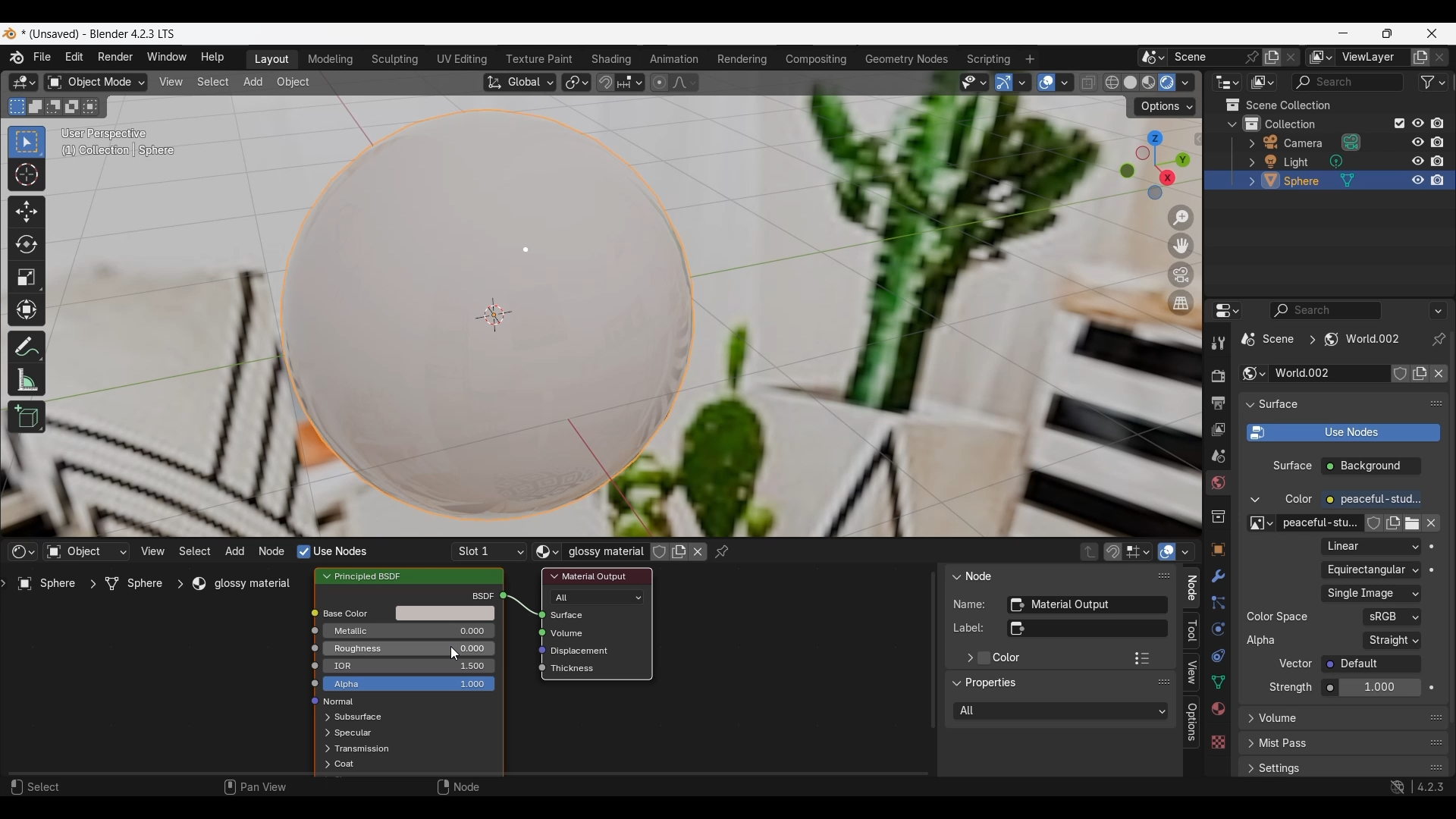 The height and width of the screenshot is (819, 1456). Describe the element at coordinates (1087, 605) in the screenshot. I see `Unique node identifier` at that location.